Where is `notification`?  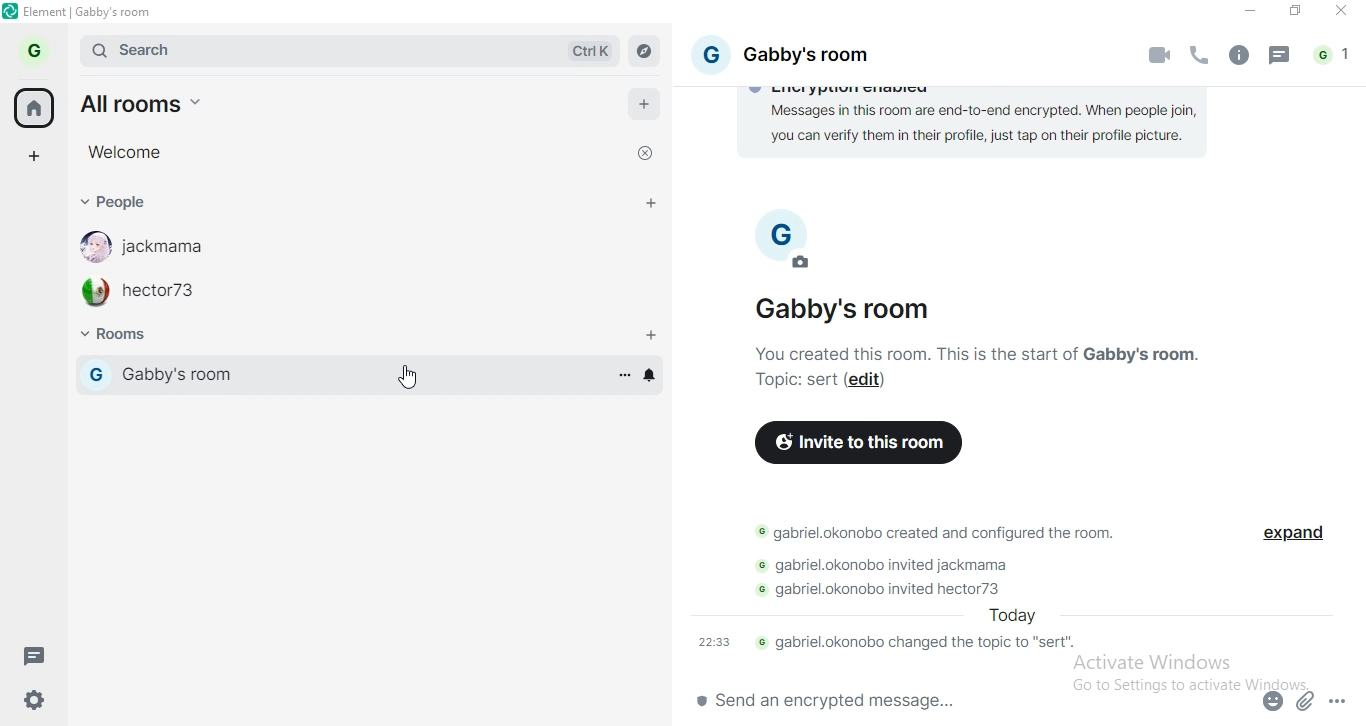
notification is located at coordinates (1334, 56).